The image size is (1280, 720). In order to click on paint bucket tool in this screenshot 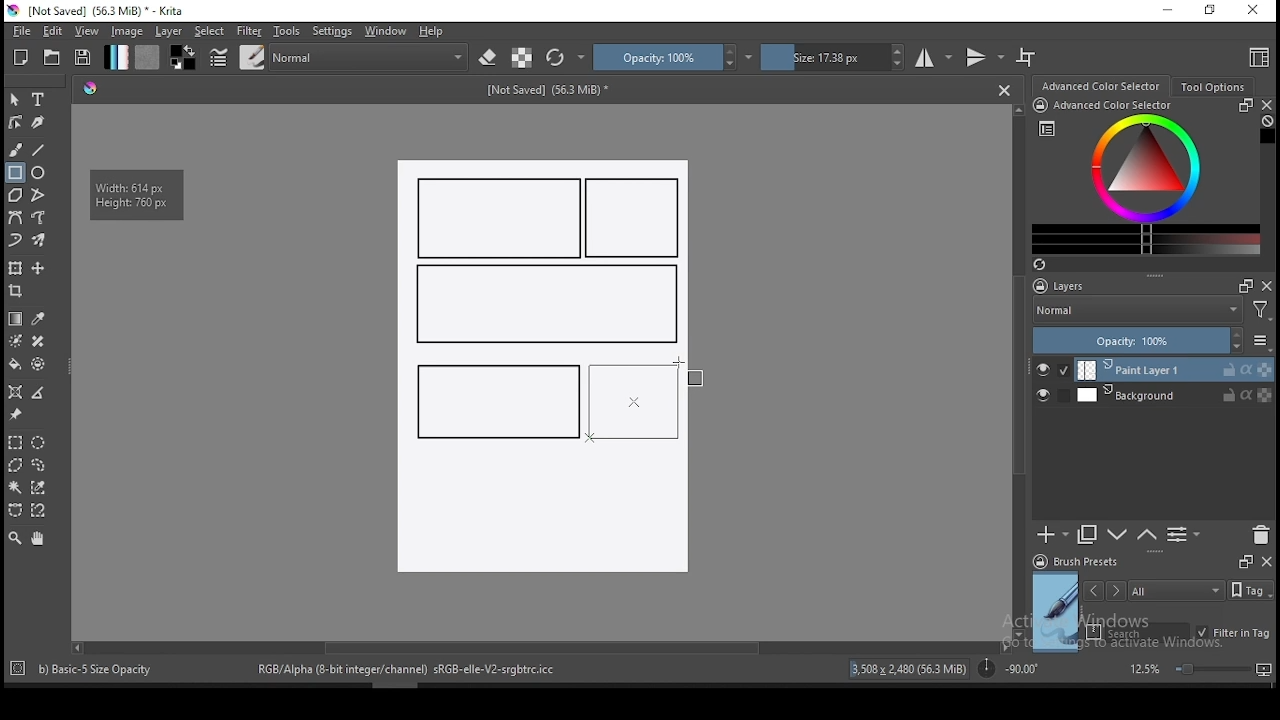, I will do `click(15, 364)`.